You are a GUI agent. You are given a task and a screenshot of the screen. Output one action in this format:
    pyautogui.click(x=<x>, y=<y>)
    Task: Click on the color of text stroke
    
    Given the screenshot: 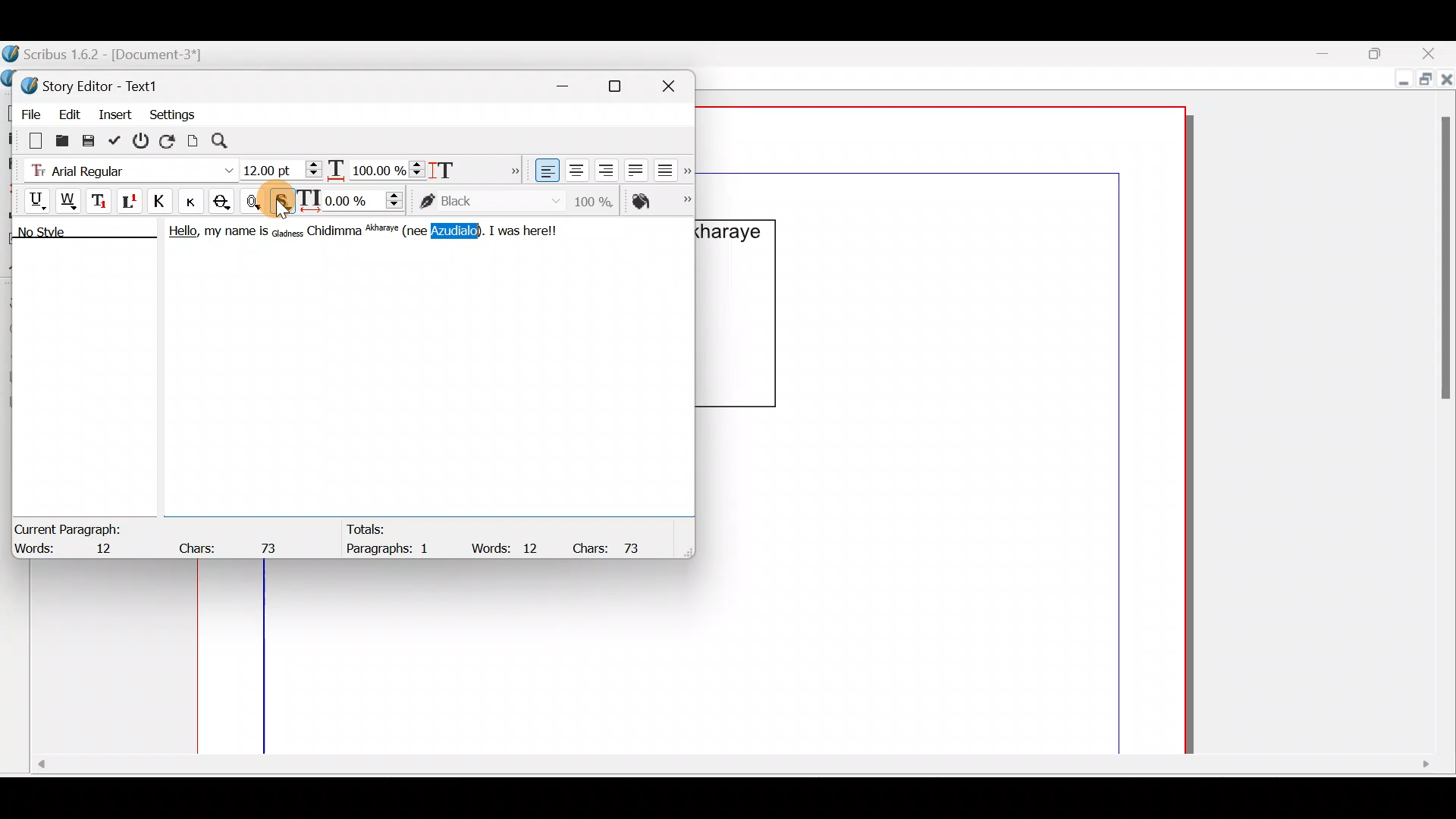 What is the action you would take?
    pyautogui.click(x=490, y=202)
    